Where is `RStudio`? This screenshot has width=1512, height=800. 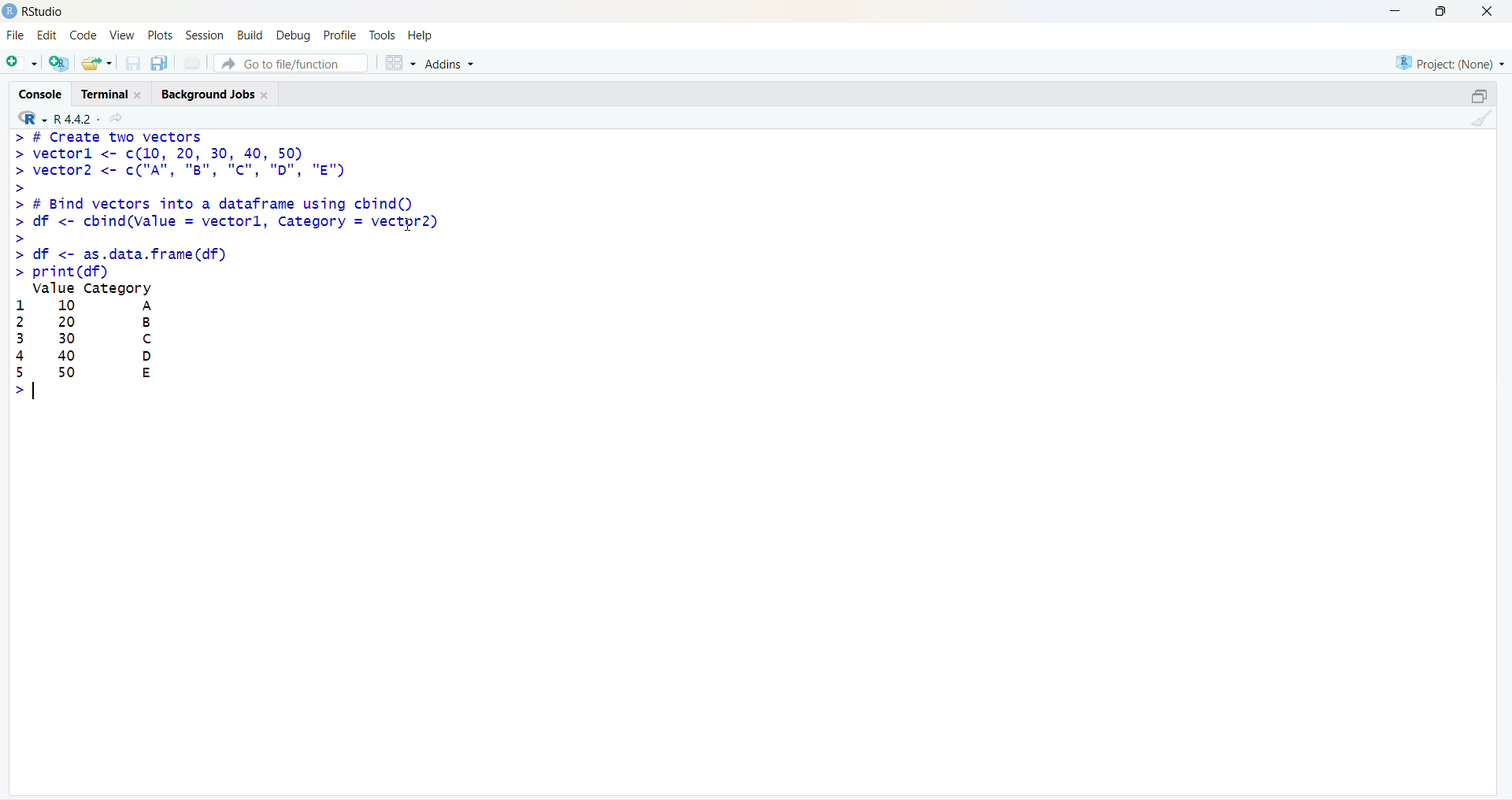
RStudio is located at coordinates (43, 12).